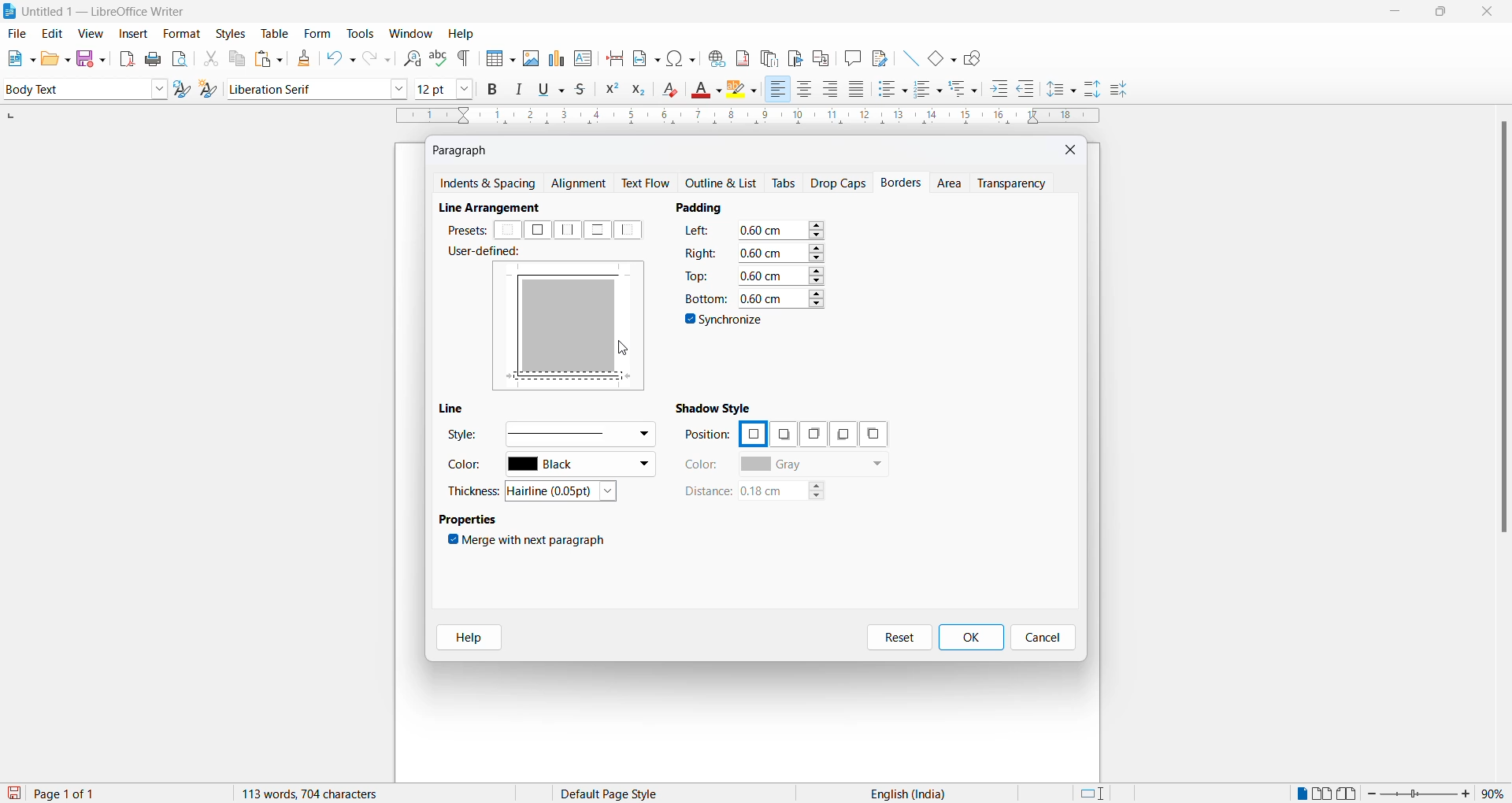  Describe the element at coordinates (714, 56) in the screenshot. I see `insert hyperlink` at that location.